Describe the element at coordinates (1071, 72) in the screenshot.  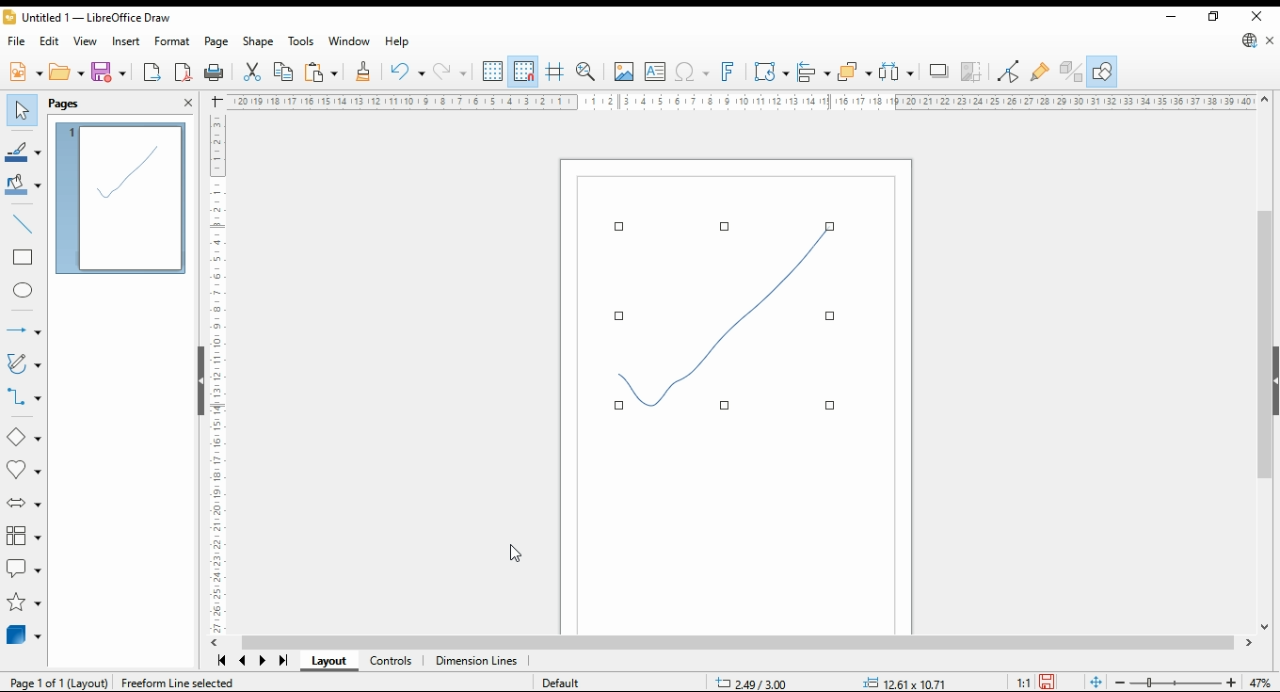
I see `toggle extrusions` at that location.